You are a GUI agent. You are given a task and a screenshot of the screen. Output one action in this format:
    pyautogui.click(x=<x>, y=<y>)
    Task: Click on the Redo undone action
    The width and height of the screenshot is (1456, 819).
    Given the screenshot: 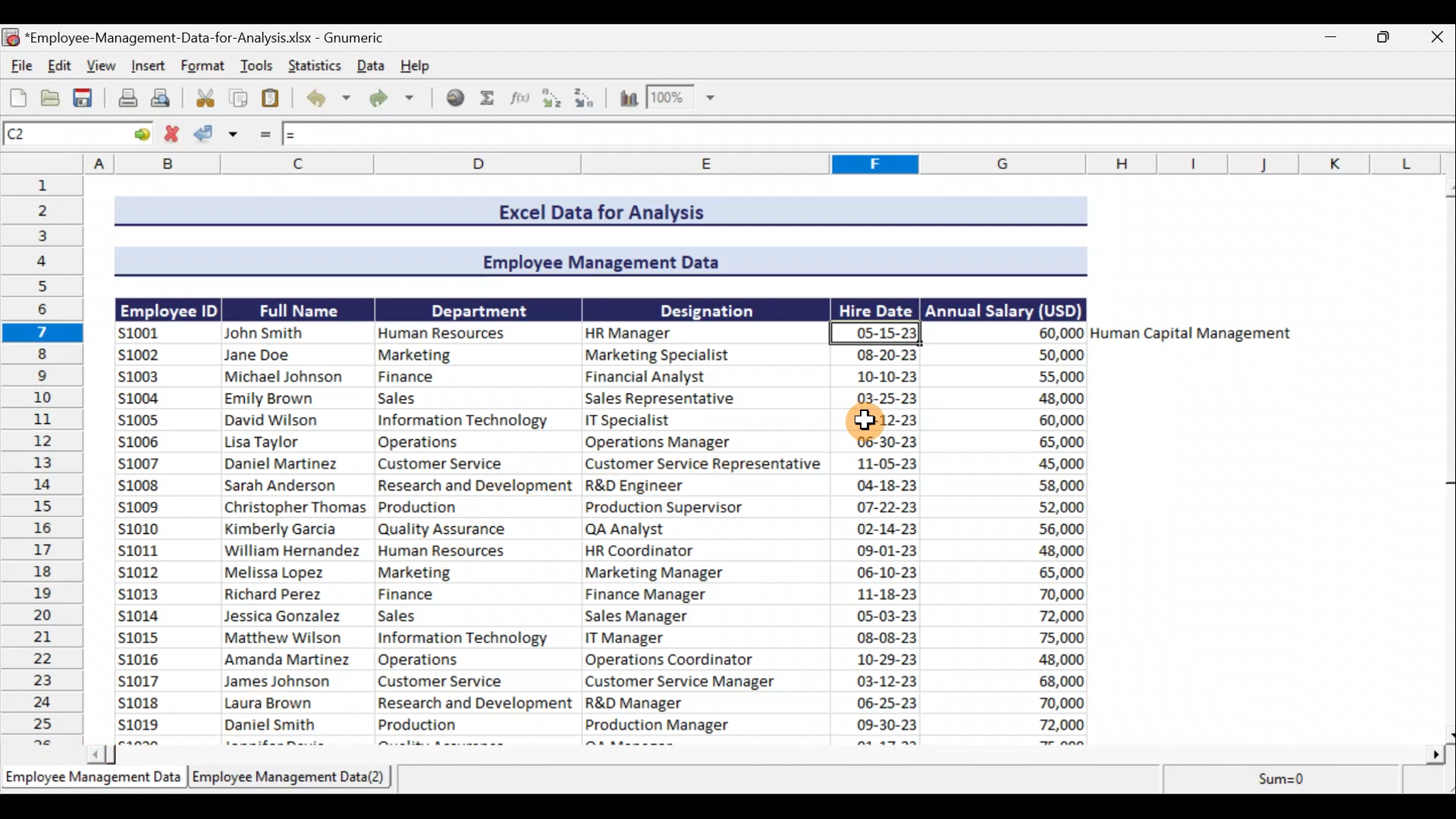 What is the action you would take?
    pyautogui.click(x=398, y=102)
    